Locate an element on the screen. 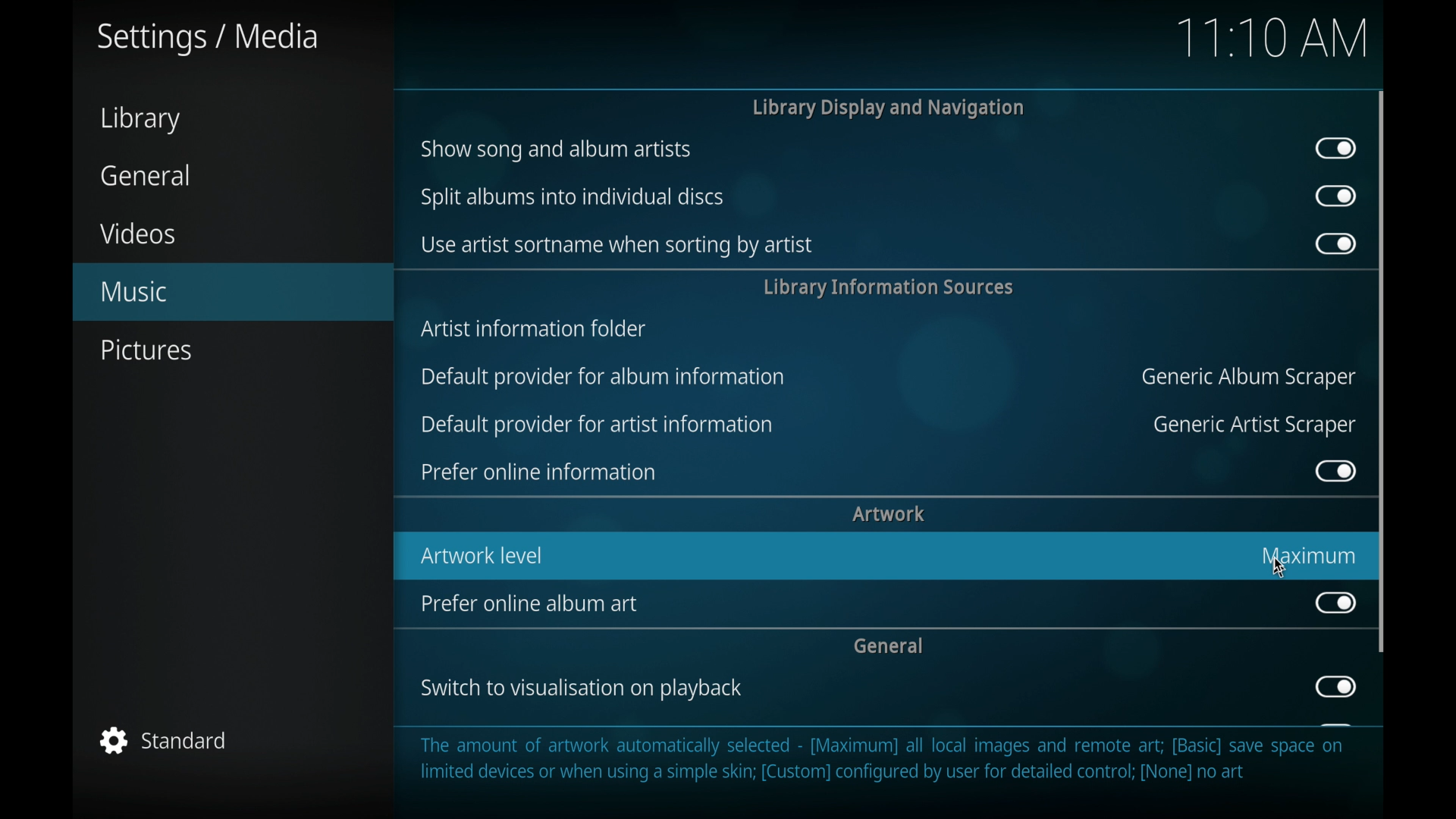 The width and height of the screenshot is (1456, 819). switch to visualization on playback is located at coordinates (581, 688).